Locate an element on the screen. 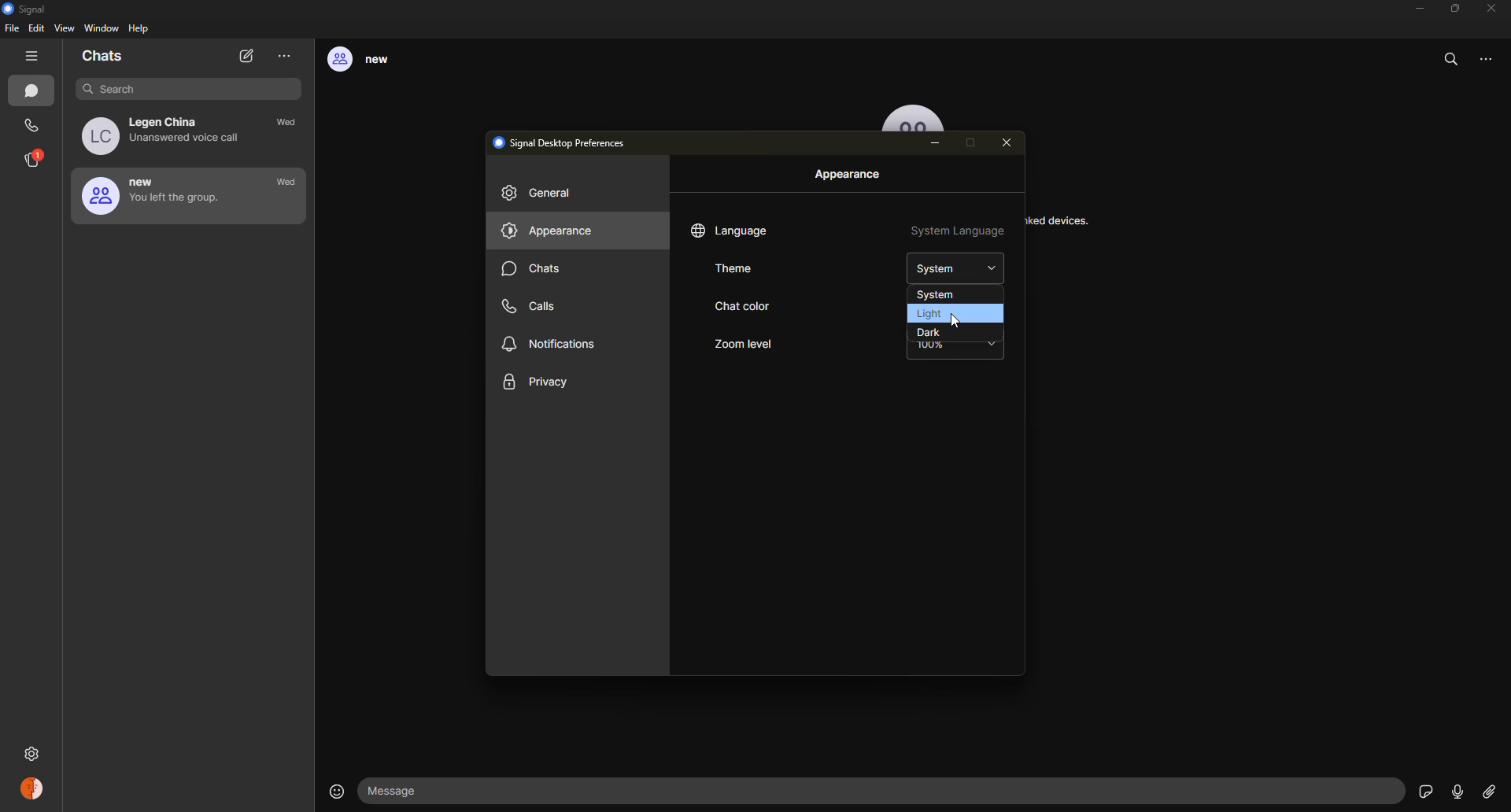 The height and width of the screenshot is (812, 1511). wed is located at coordinates (290, 124).